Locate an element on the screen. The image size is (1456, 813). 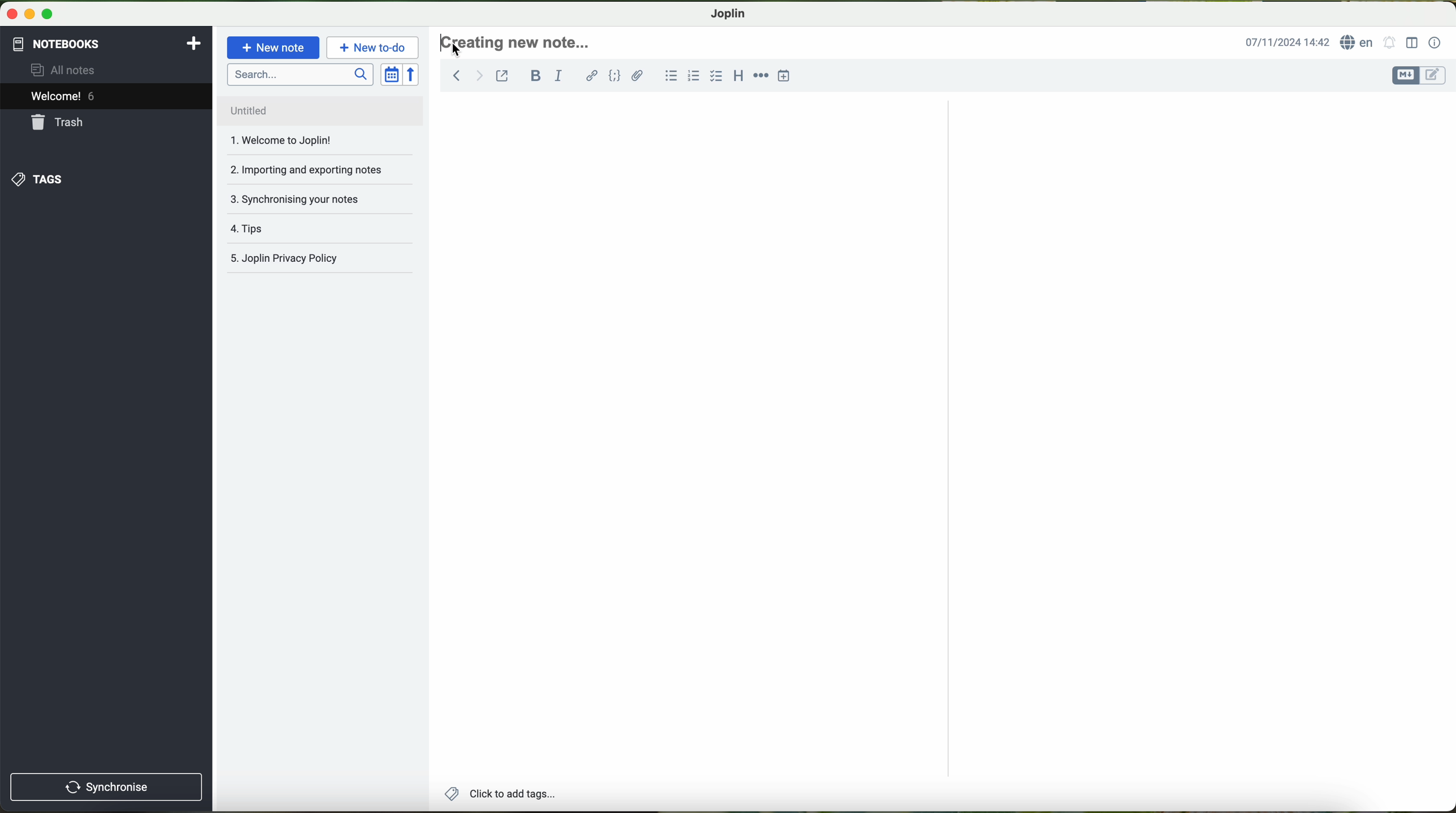
click on heading is located at coordinates (518, 45).